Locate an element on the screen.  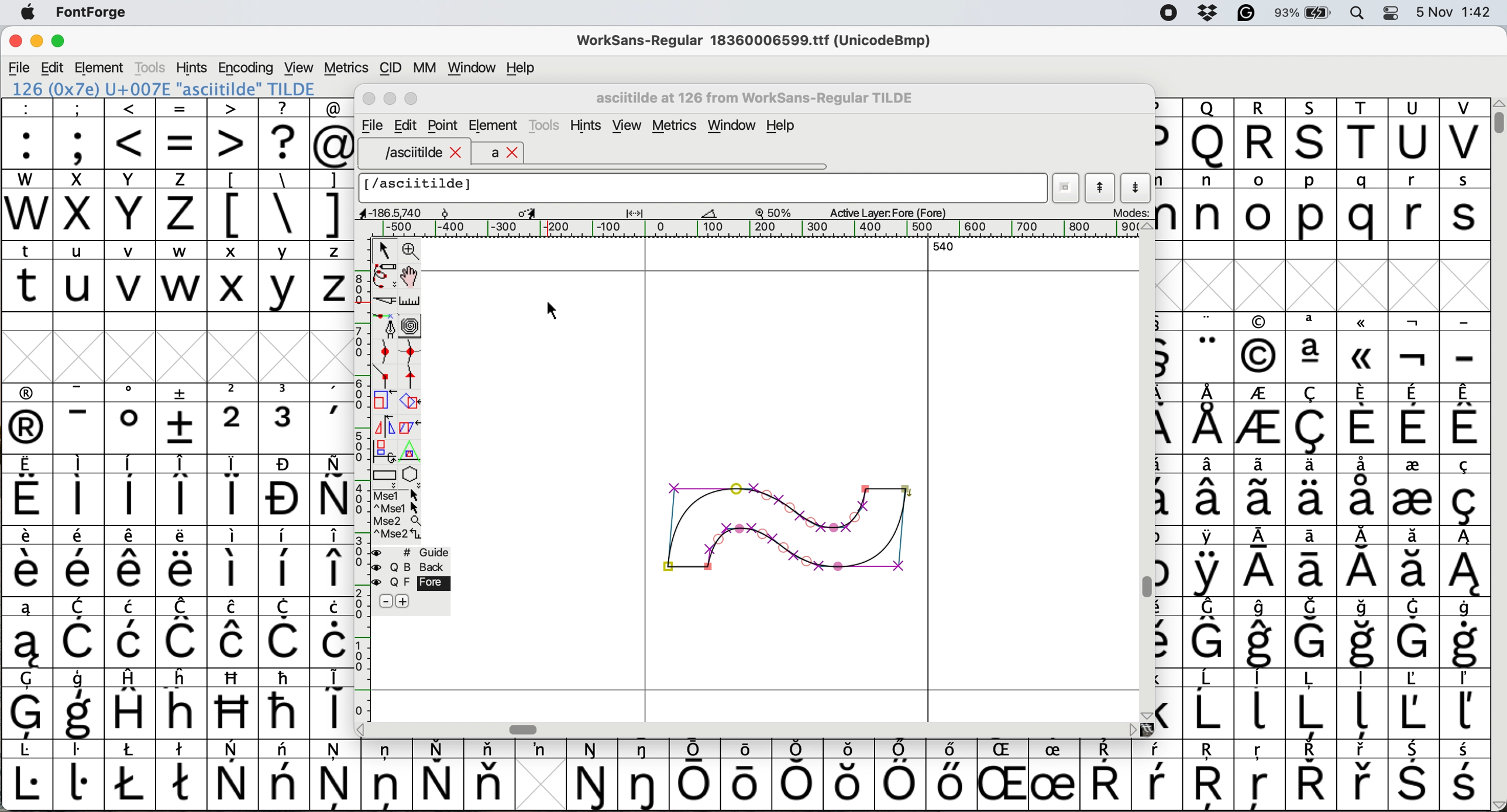
symbol is located at coordinates (1157, 775).